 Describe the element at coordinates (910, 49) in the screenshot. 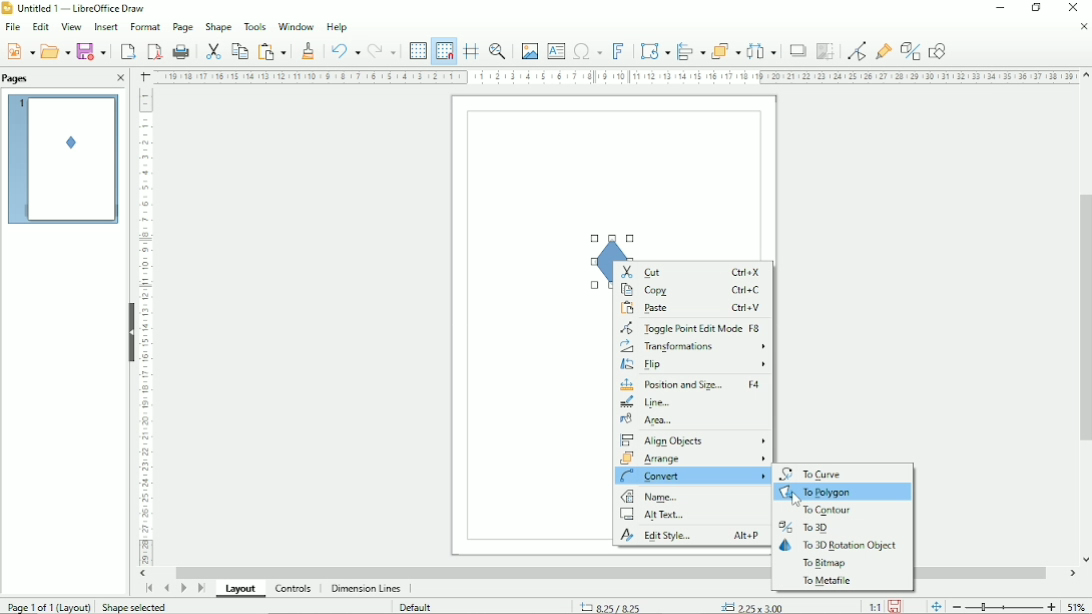

I see `Toggle extrusion` at that location.